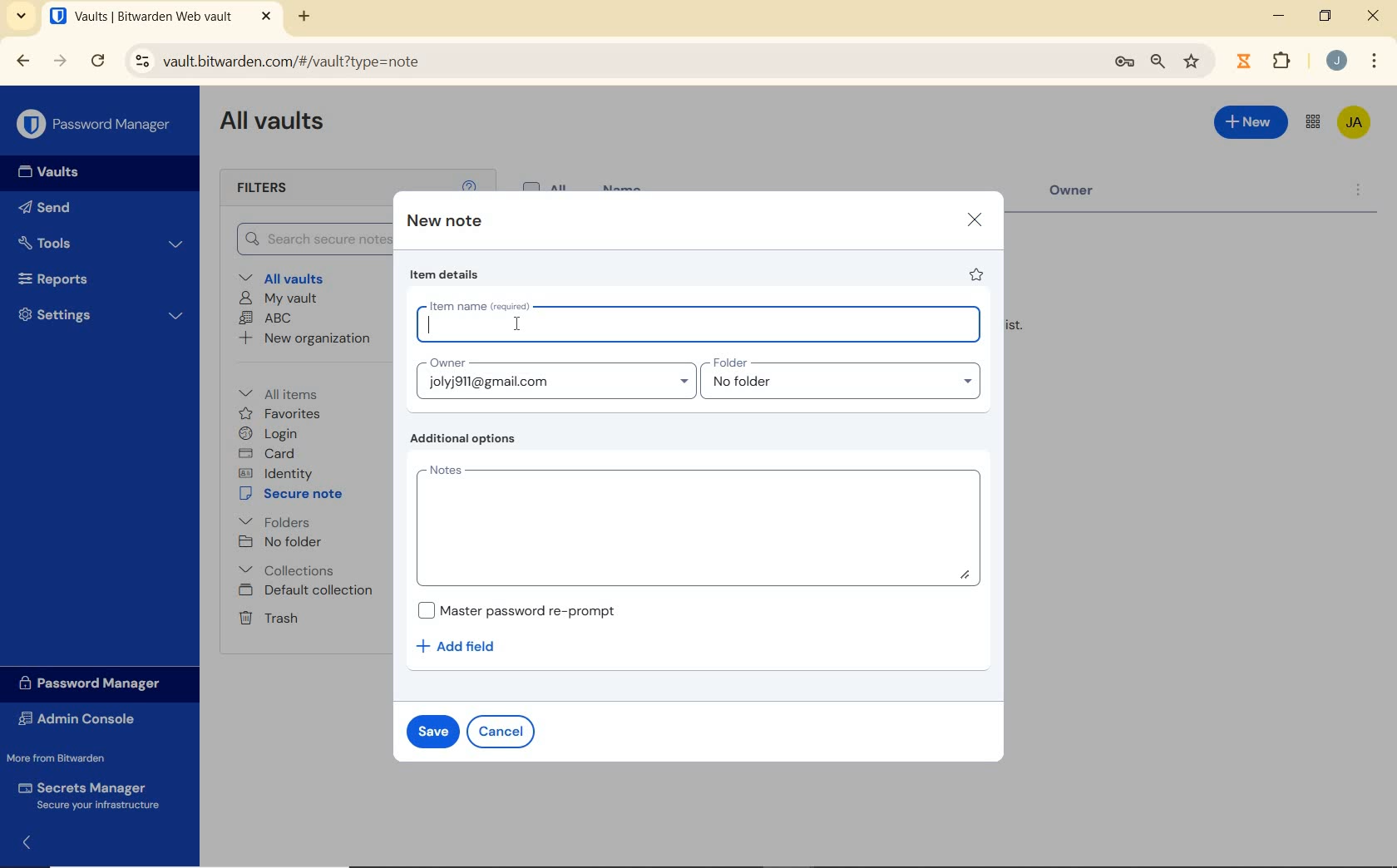 This screenshot has width=1397, height=868. What do you see at coordinates (1158, 63) in the screenshot?
I see `zoom` at bounding box center [1158, 63].